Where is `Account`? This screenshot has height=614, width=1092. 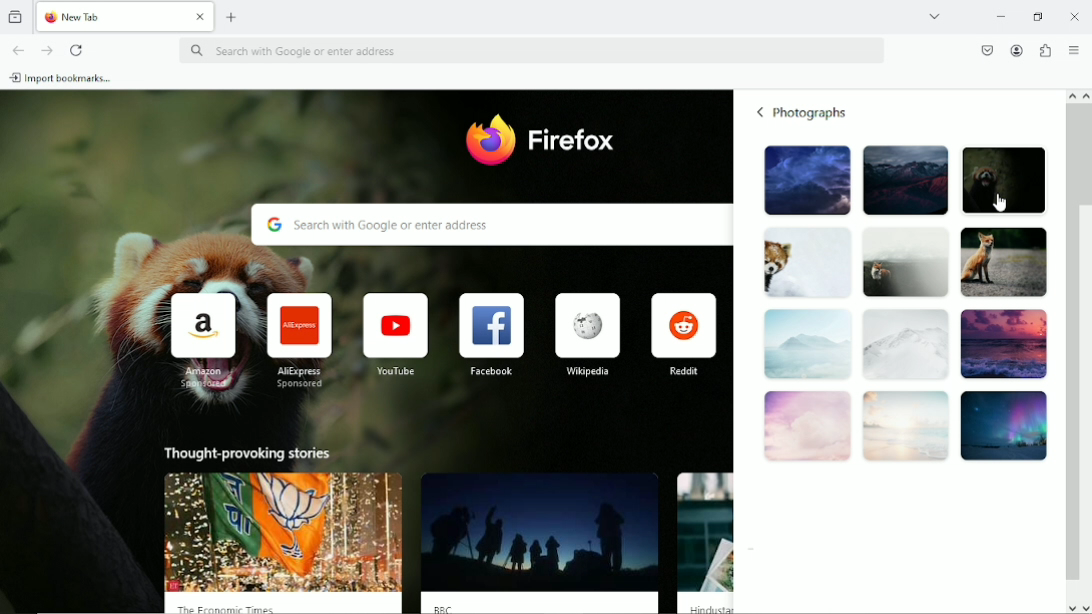
Account is located at coordinates (1017, 49).